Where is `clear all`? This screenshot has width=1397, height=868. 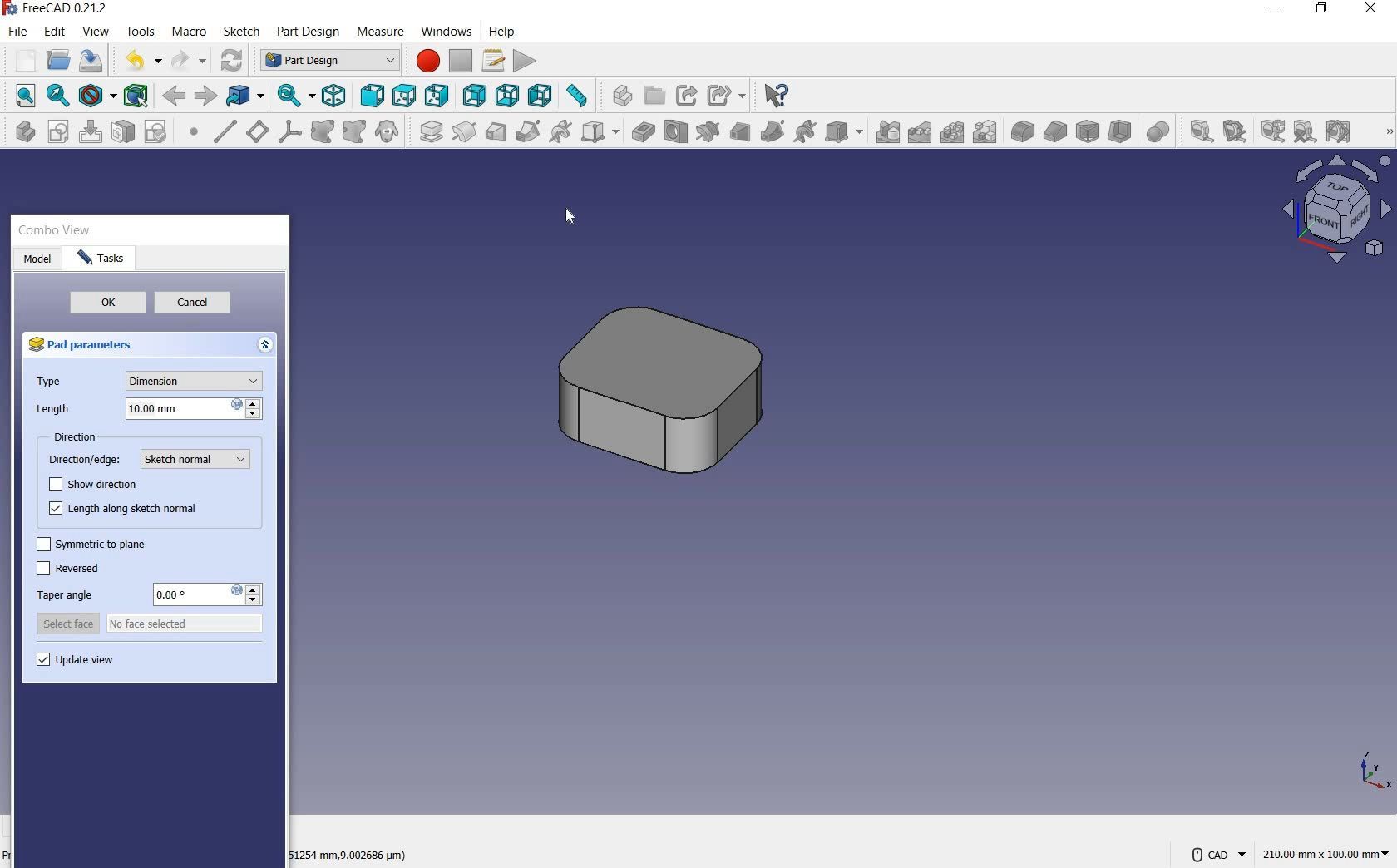
clear all is located at coordinates (1306, 133).